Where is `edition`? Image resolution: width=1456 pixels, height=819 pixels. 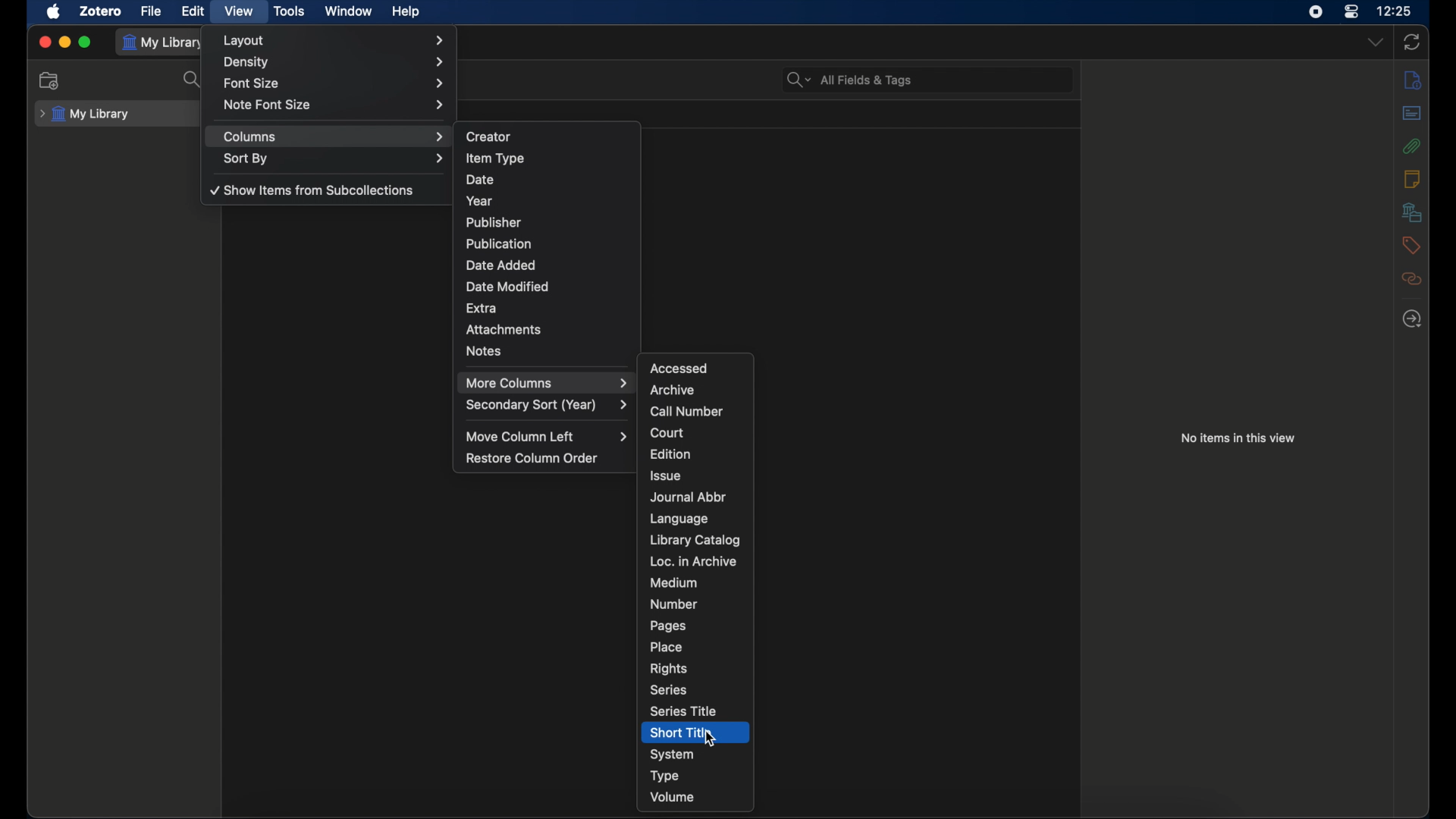 edition is located at coordinates (673, 454).